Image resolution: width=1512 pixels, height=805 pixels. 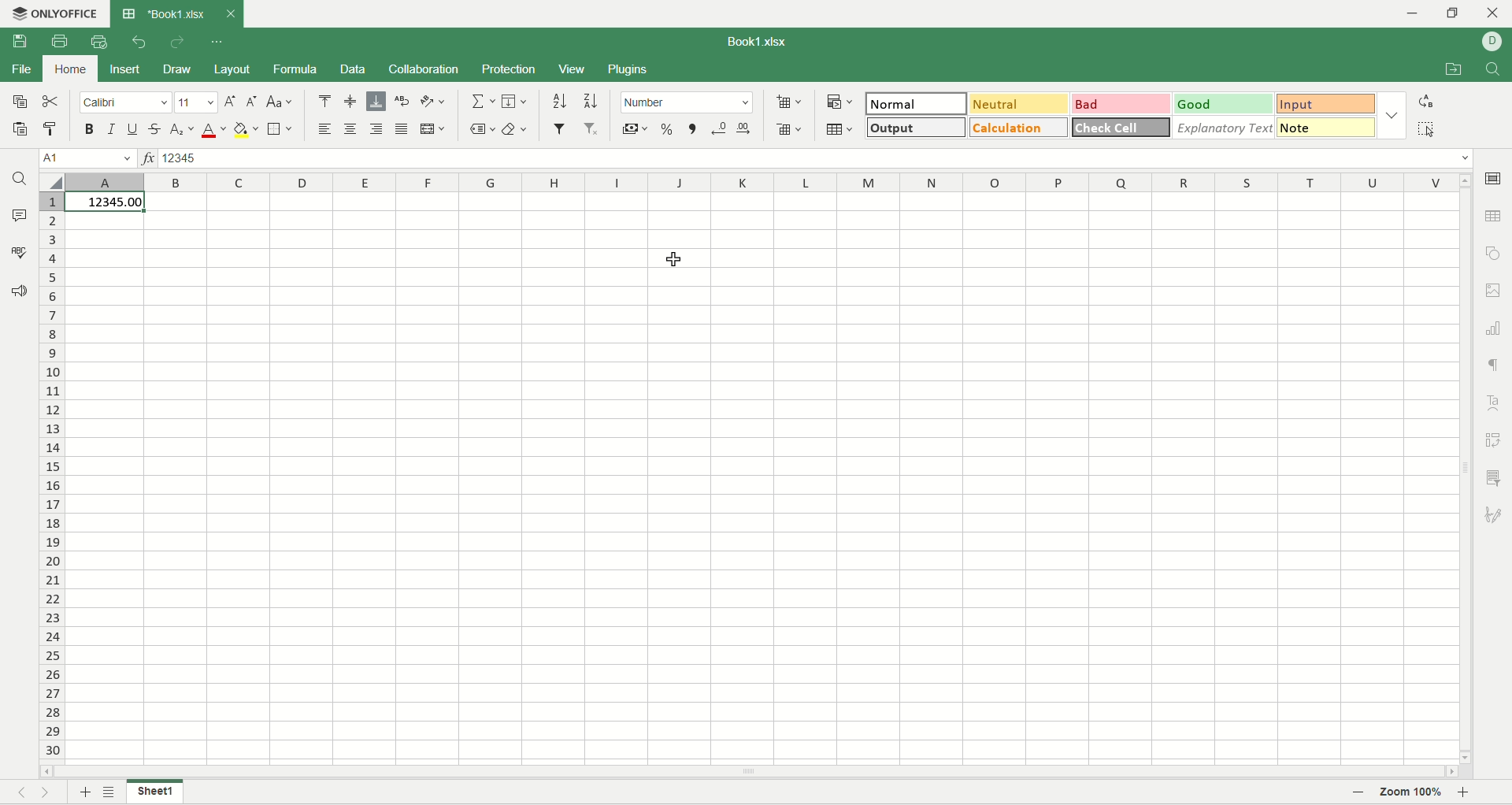 What do you see at coordinates (24, 70) in the screenshot?
I see `file` at bounding box center [24, 70].